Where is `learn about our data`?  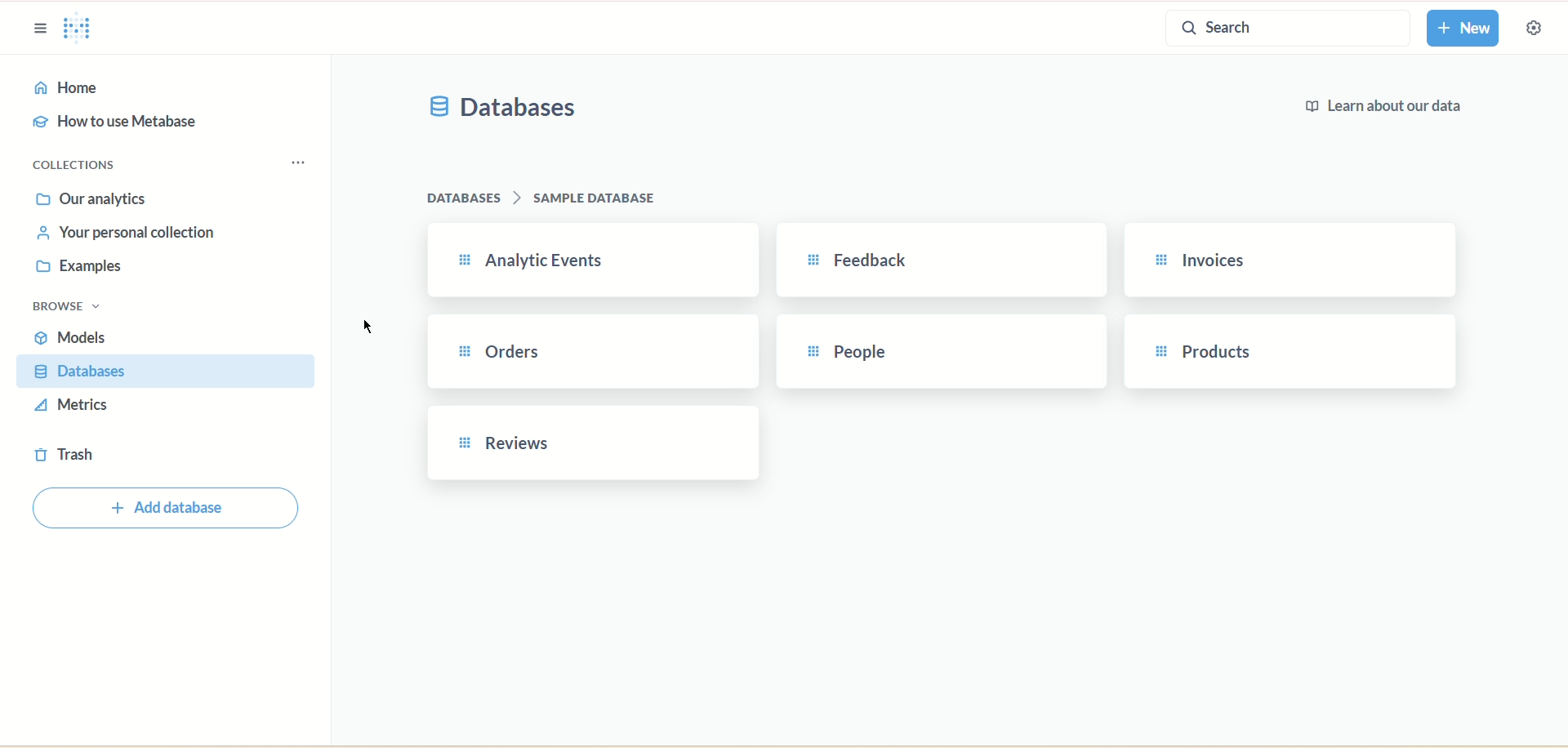 learn about our data is located at coordinates (1380, 109).